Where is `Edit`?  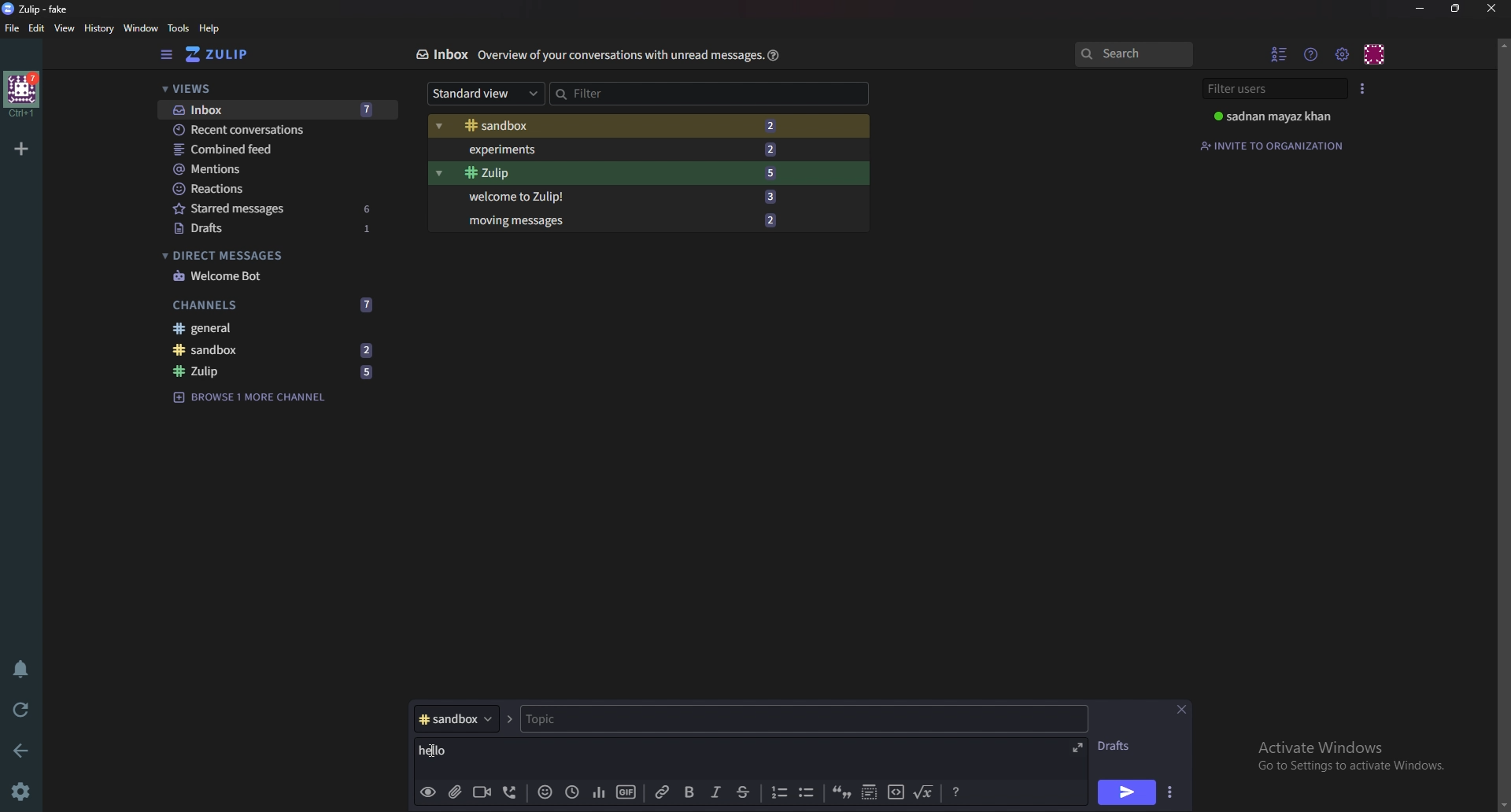
Edit is located at coordinates (39, 28).